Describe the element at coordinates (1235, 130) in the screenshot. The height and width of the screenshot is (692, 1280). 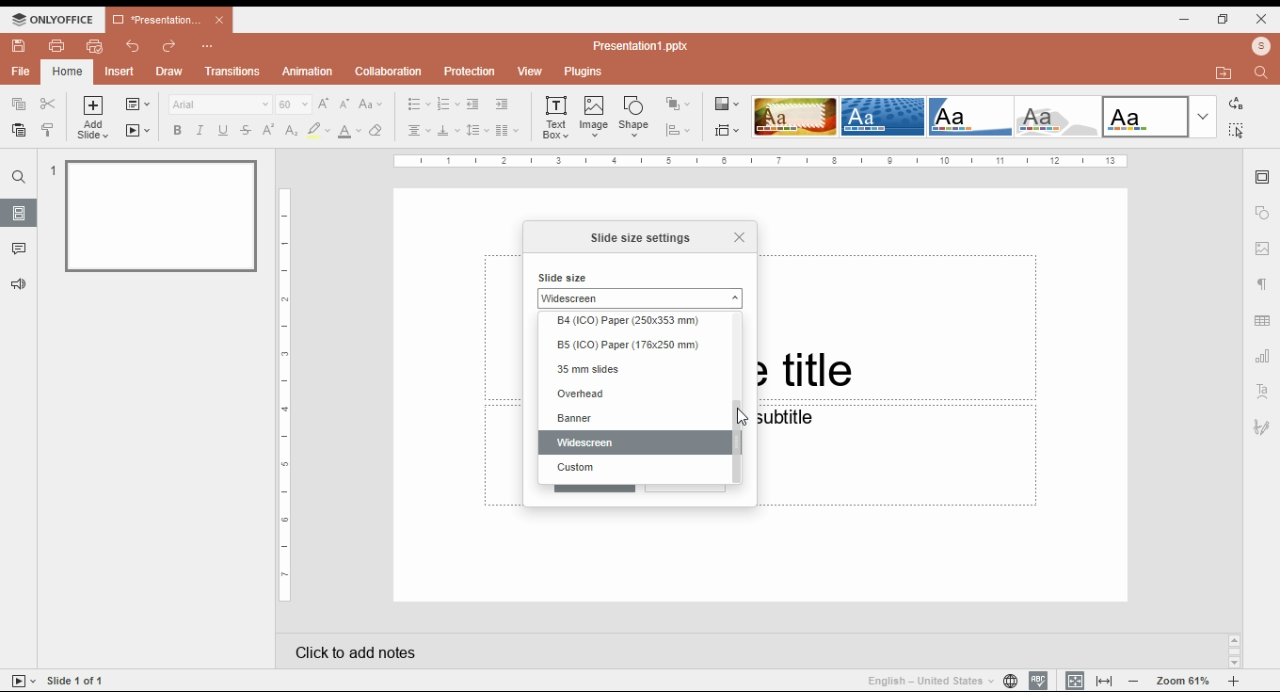
I see `find` at that location.